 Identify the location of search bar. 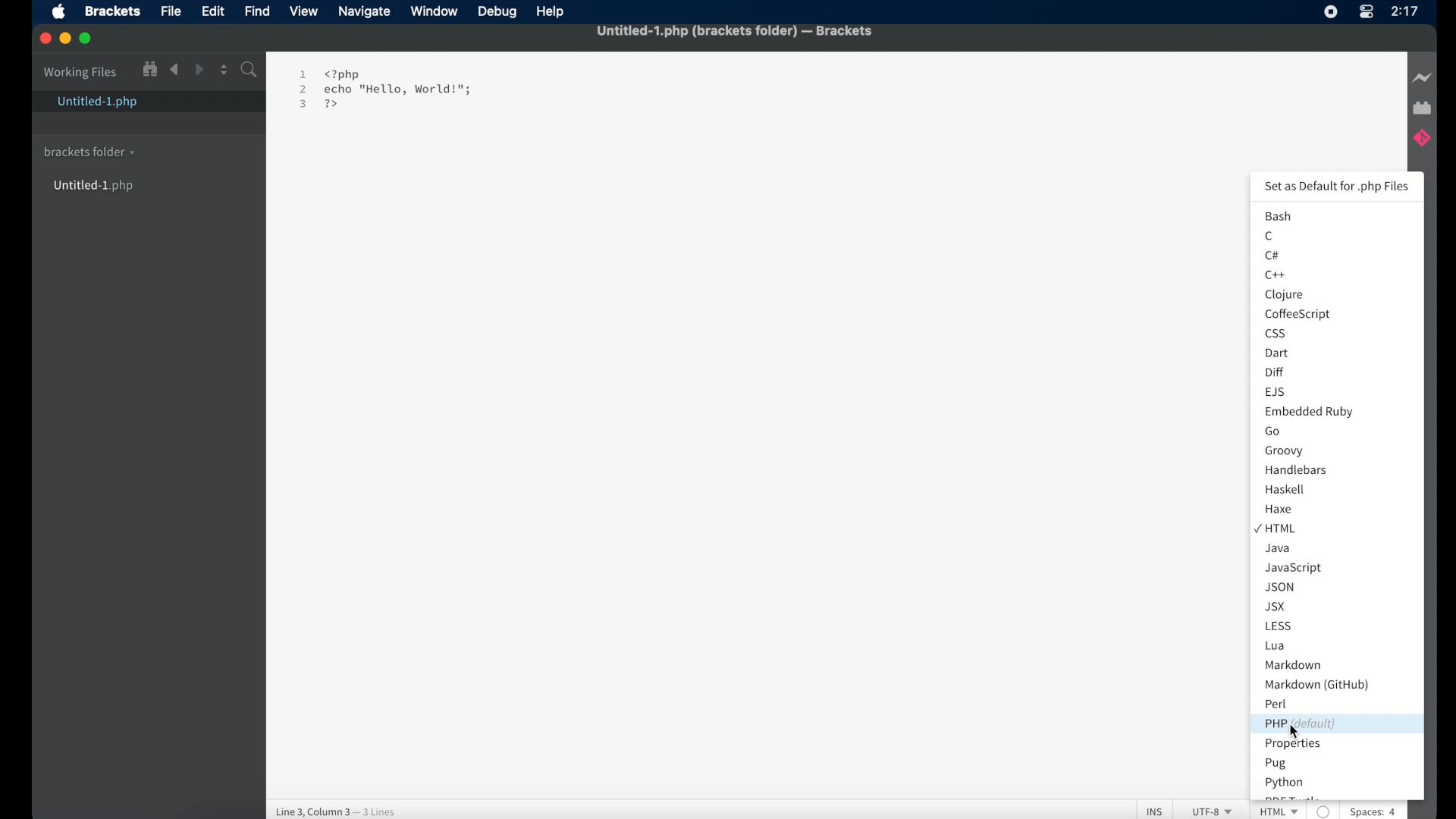
(249, 71).